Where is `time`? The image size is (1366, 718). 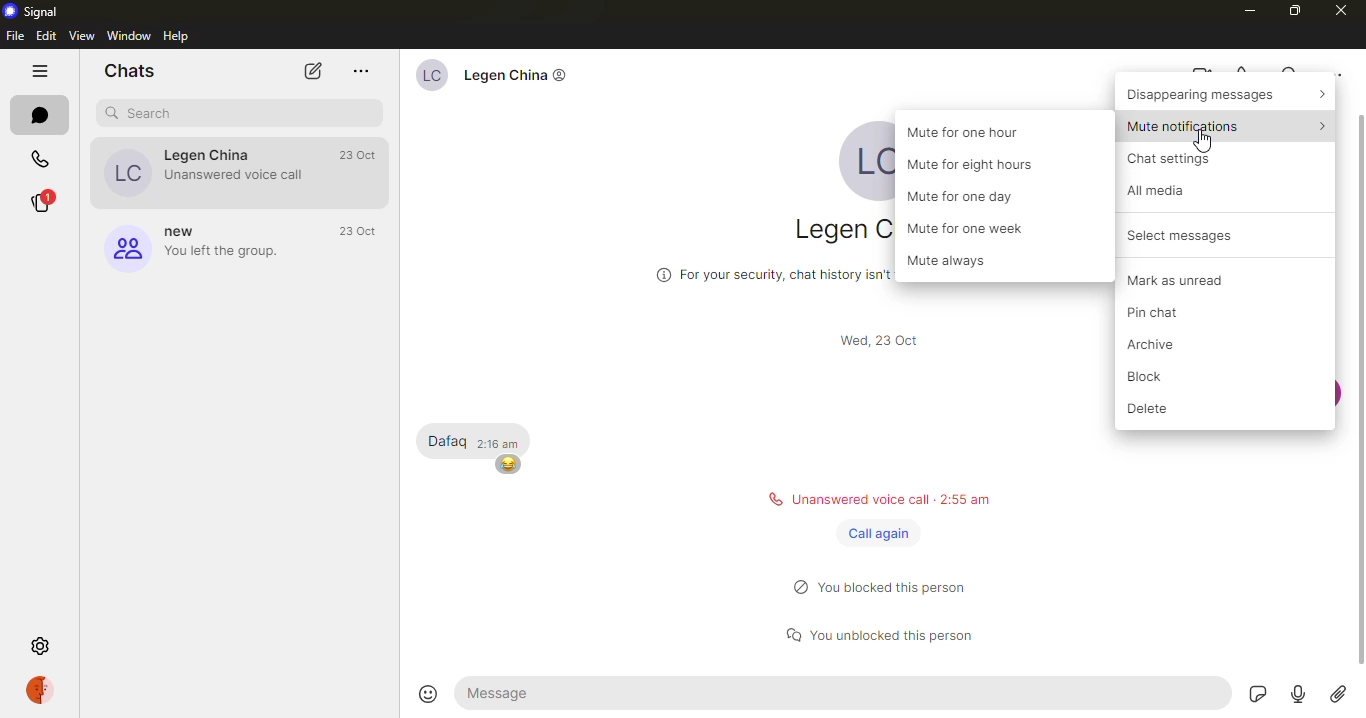
time is located at coordinates (363, 154).